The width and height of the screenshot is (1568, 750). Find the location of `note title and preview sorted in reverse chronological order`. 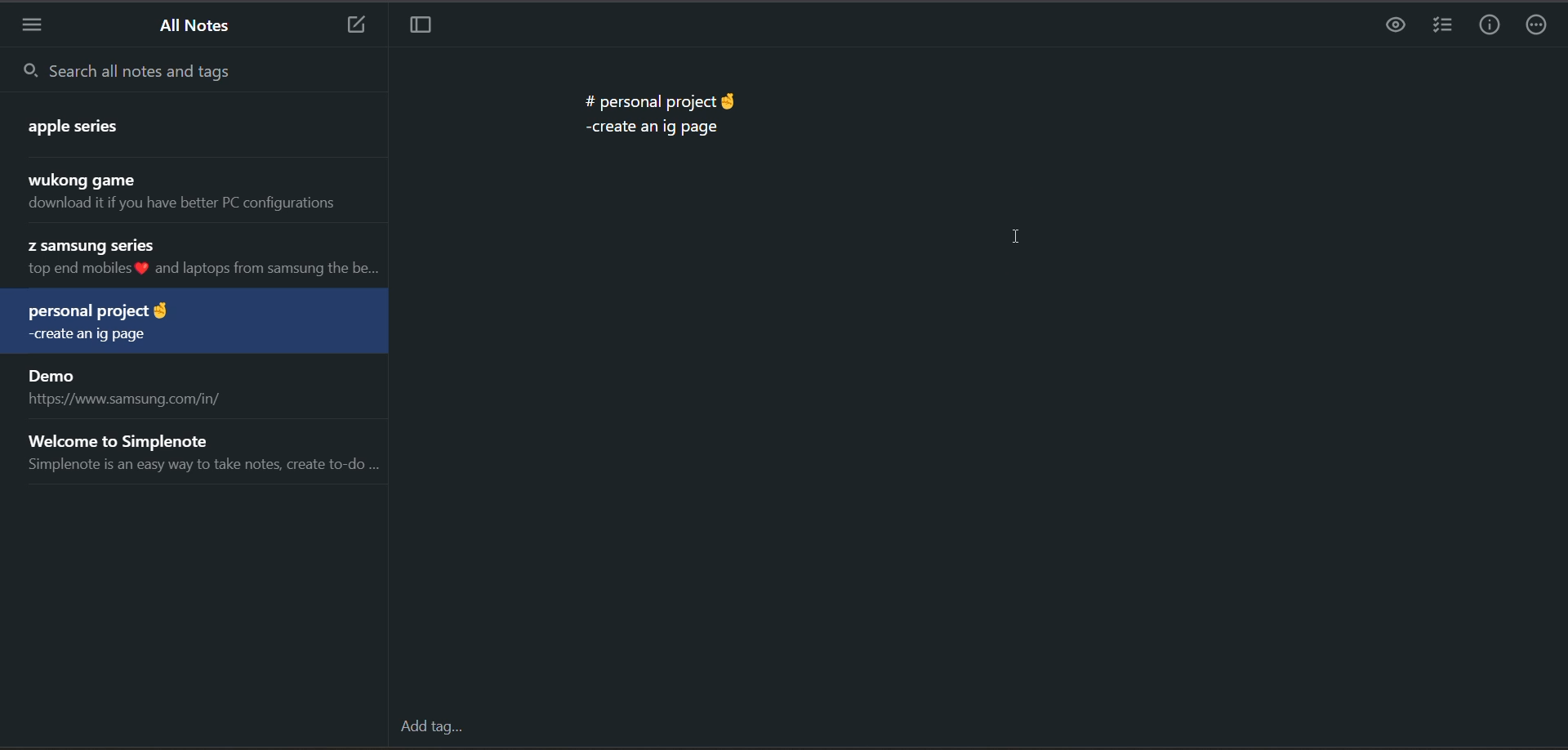

note title and preview sorted in reverse chronological order is located at coordinates (201, 193).